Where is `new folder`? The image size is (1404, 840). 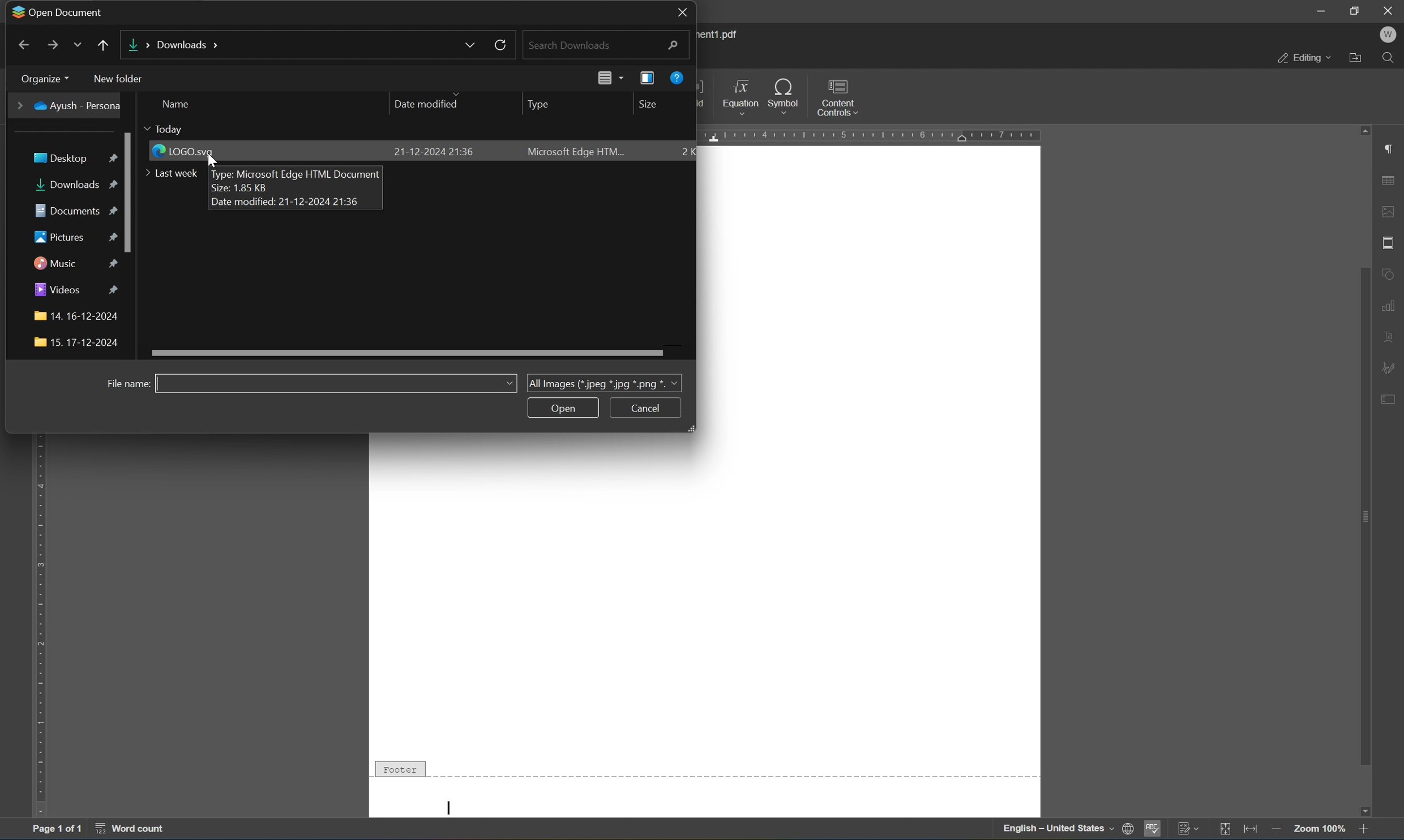 new folder is located at coordinates (123, 79).